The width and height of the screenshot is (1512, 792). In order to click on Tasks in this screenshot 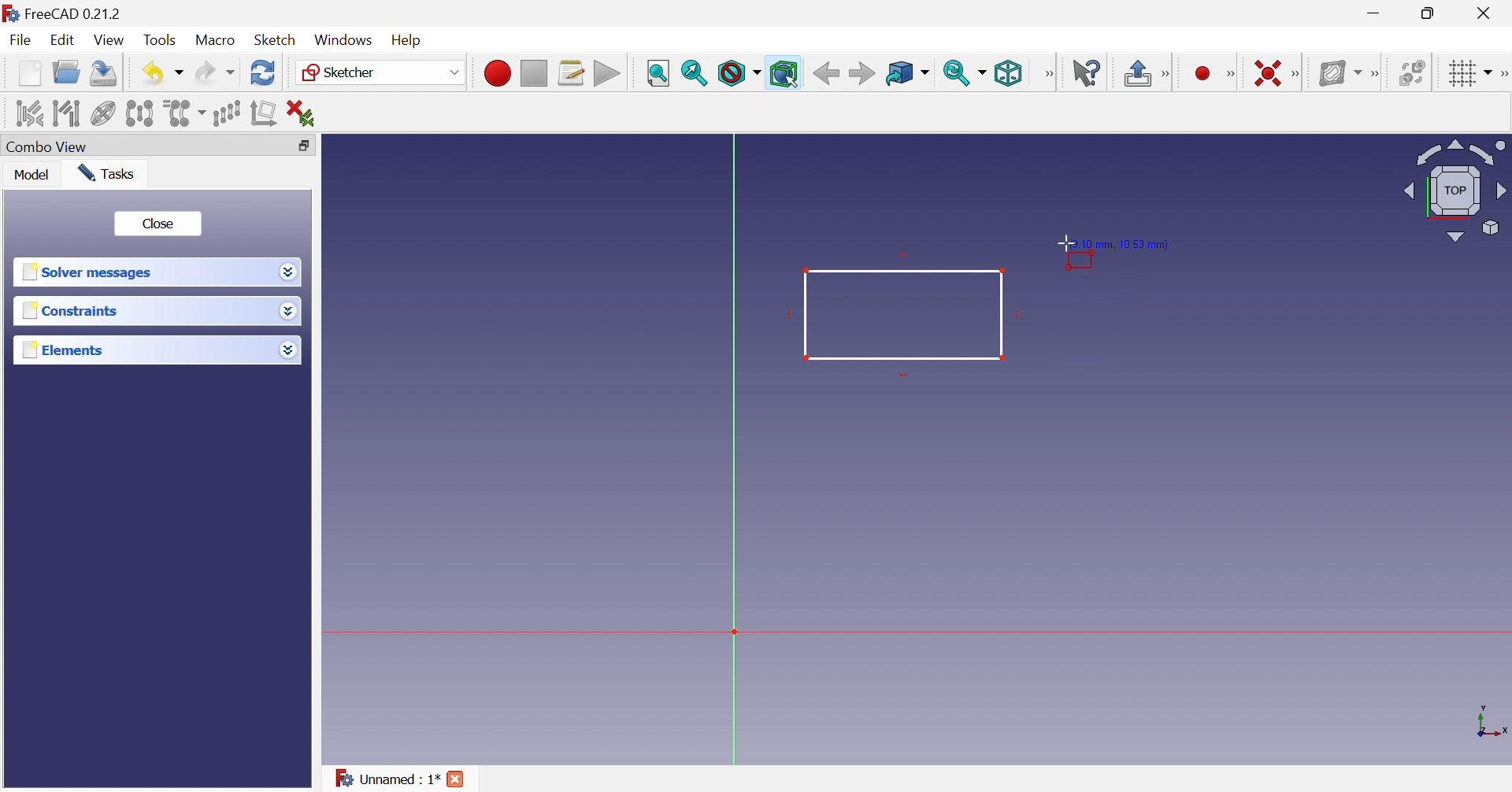, I will do `click(106, 172)`.